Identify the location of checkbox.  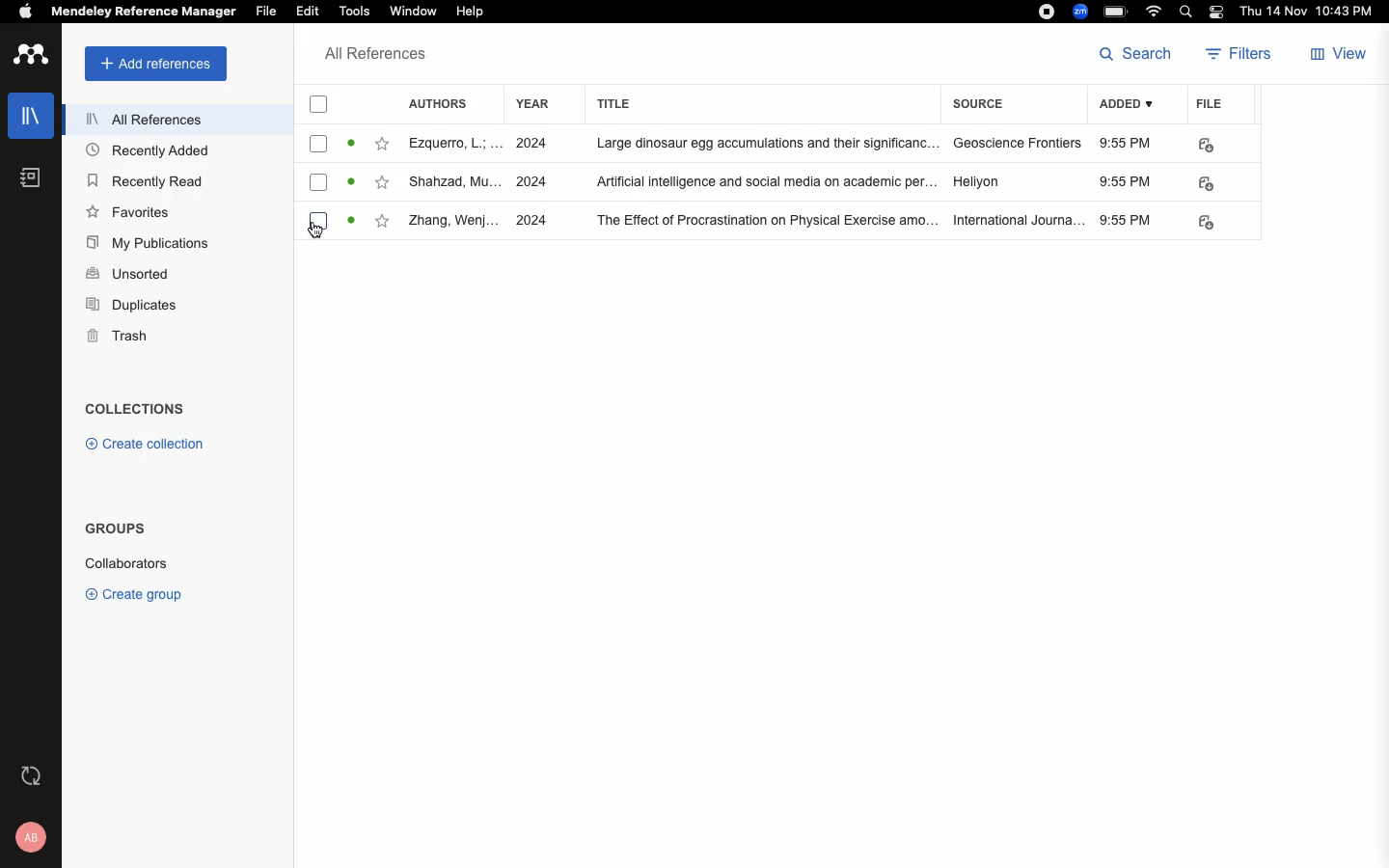
(318, 143).